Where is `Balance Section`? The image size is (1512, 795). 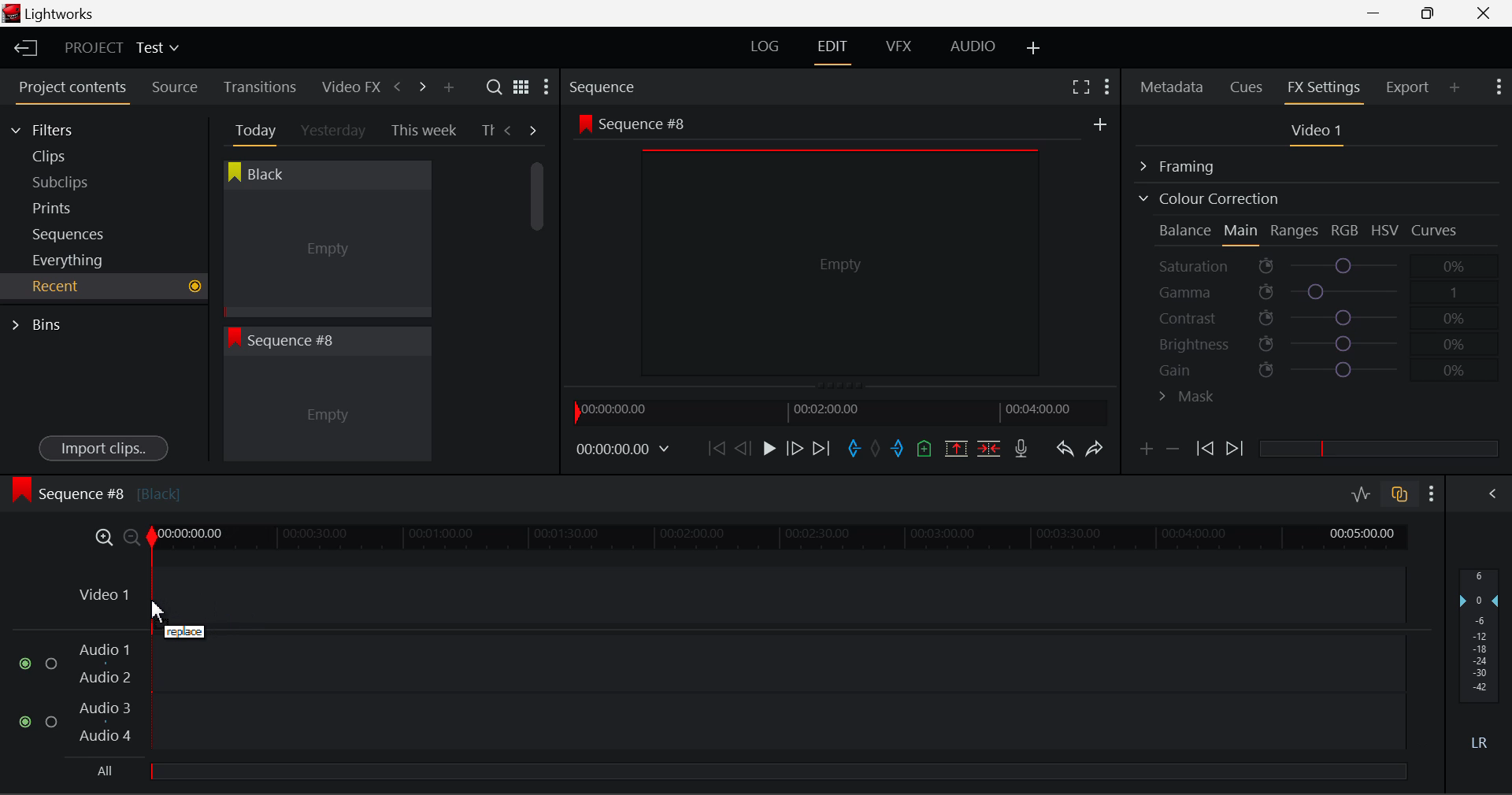 Balance Section is located at coordinates (1187, 230).